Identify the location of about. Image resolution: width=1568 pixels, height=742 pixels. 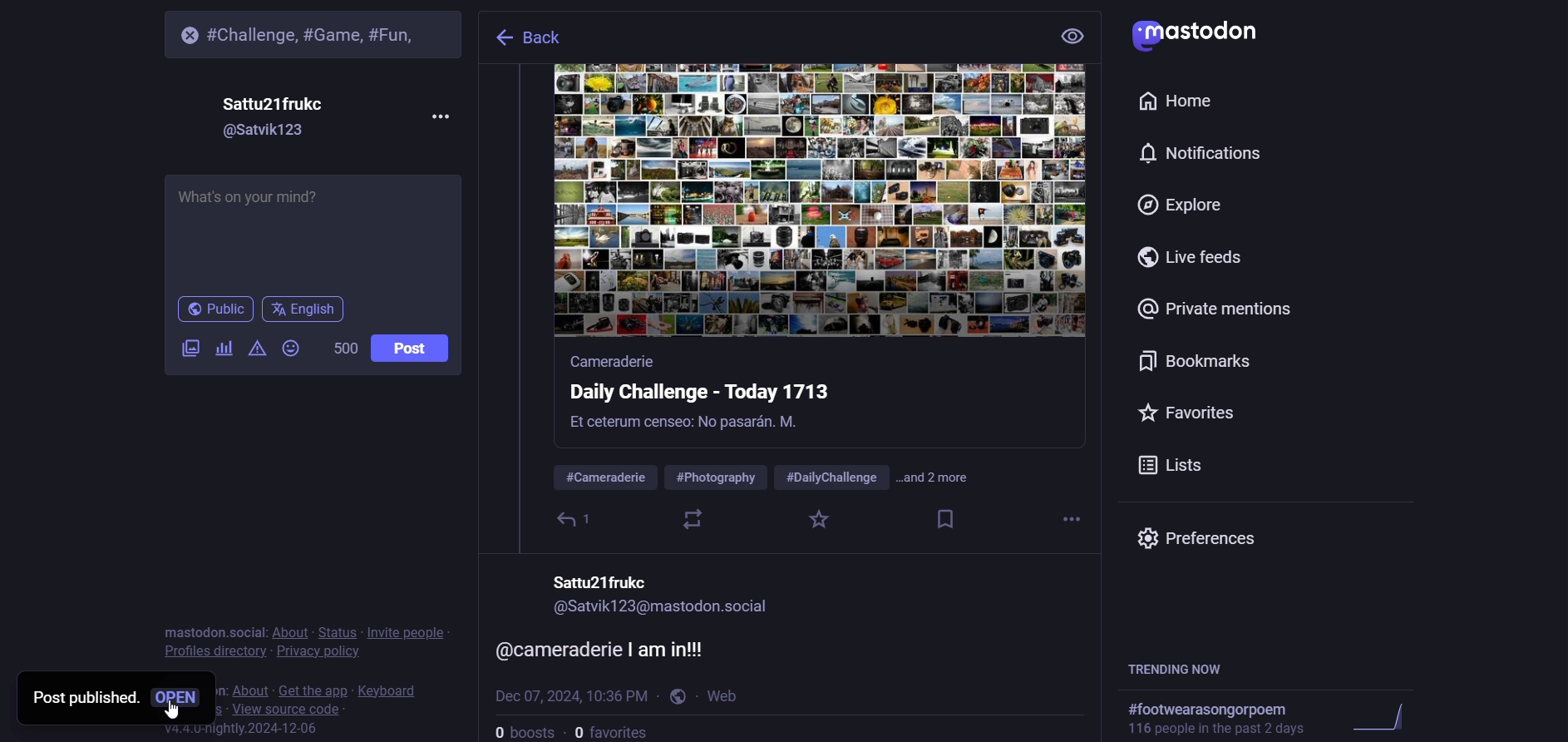
(288, 631).